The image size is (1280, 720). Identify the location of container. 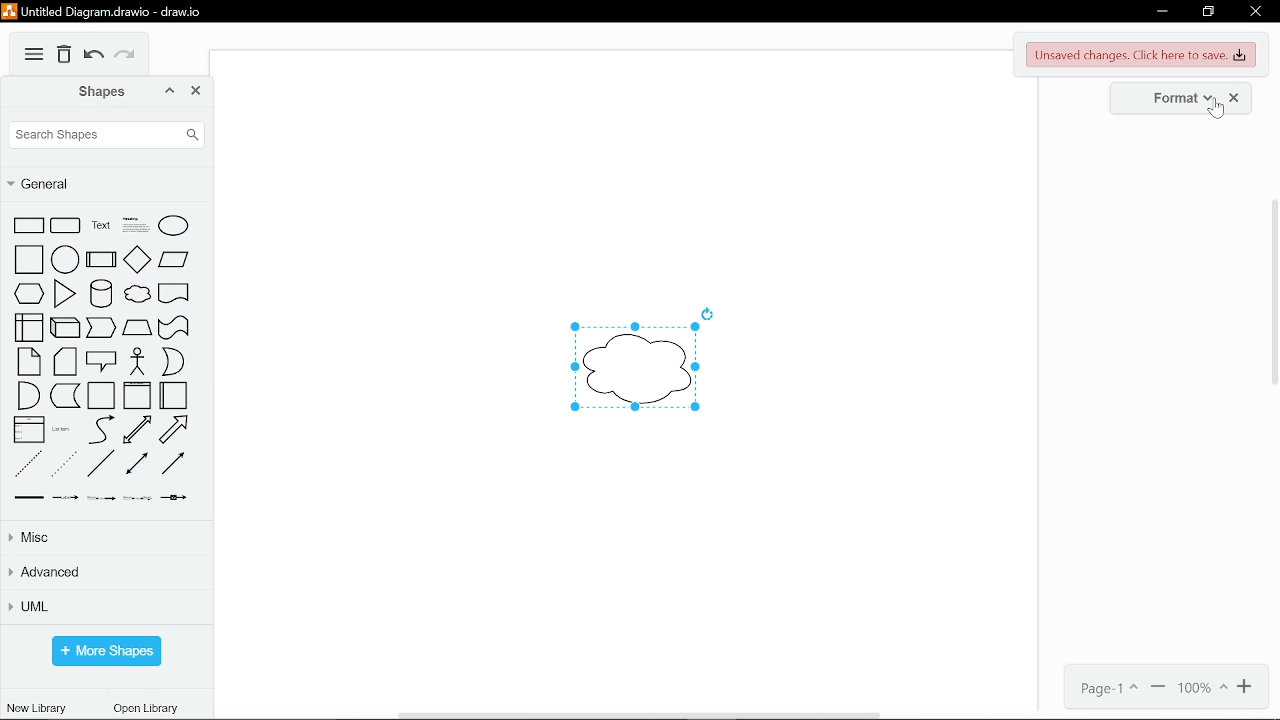
(102, 396).